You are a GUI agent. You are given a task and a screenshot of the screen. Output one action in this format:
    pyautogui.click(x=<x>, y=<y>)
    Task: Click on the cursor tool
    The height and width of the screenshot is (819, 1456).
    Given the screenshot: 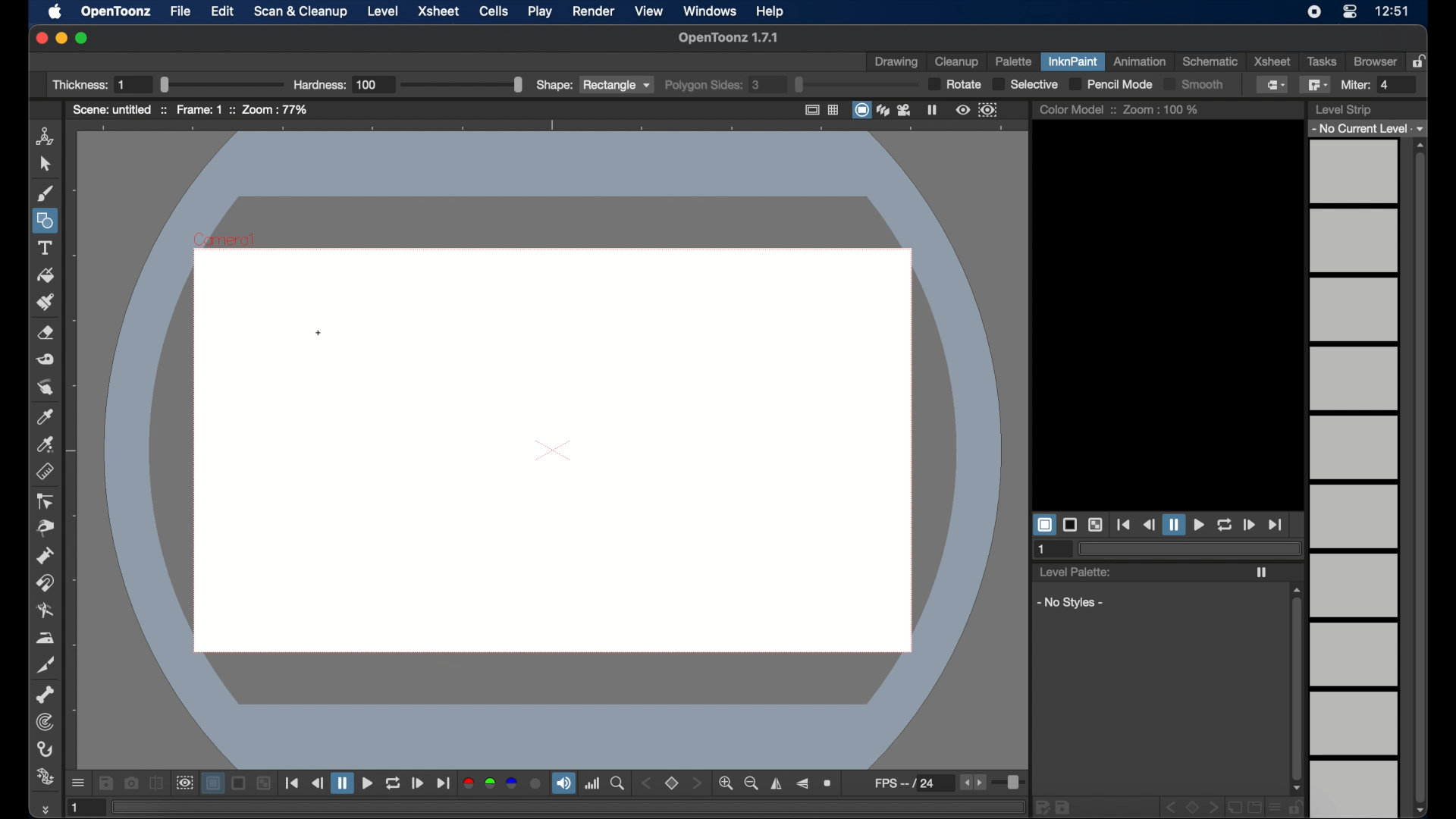 What is the action you would take?
    pyautogui.click(x=45, y=164)
    